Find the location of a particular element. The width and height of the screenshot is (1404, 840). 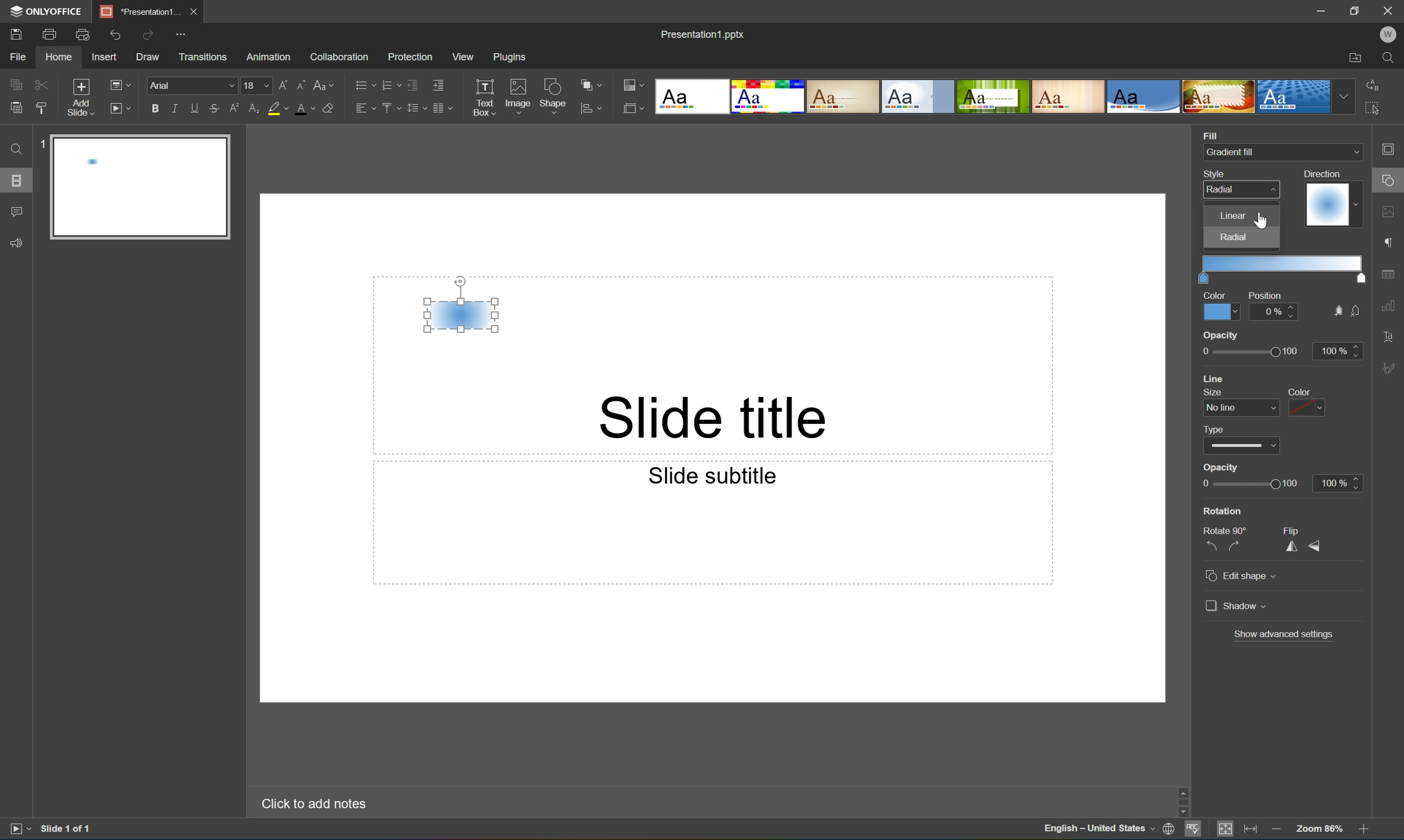

Restore Down is located at coordinates (1356, 9).